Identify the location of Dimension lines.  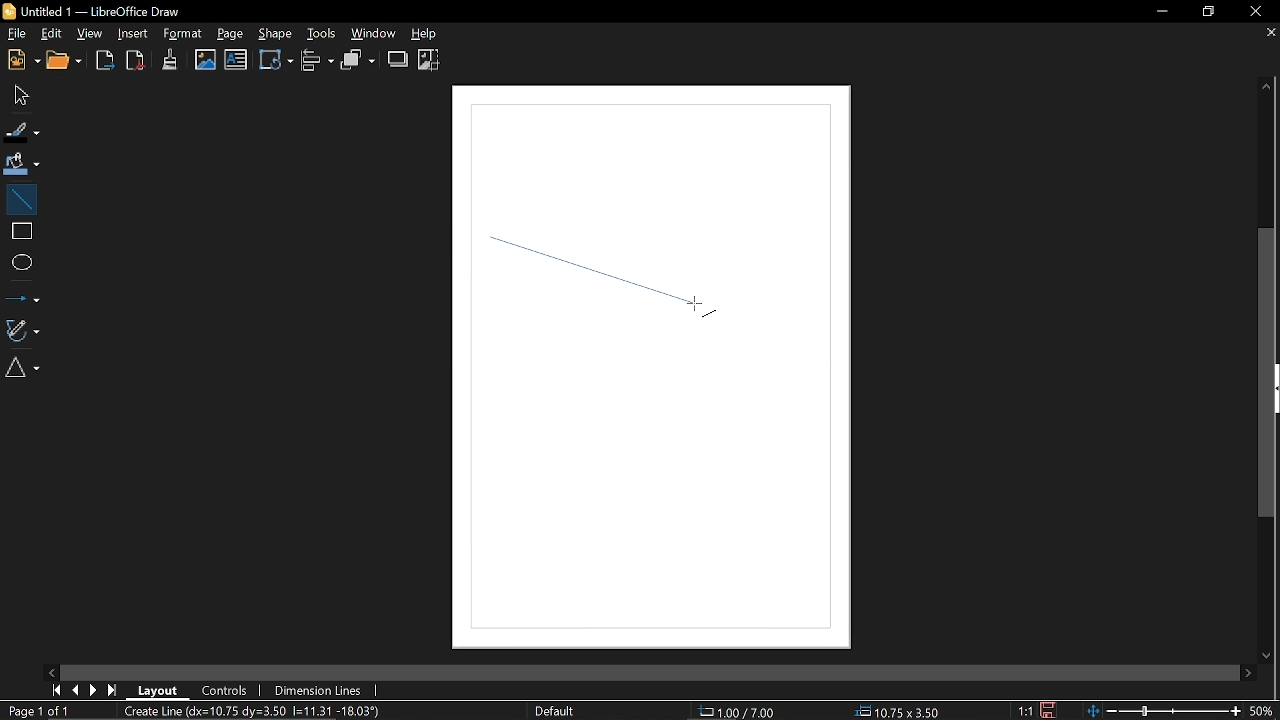
(322, 689).